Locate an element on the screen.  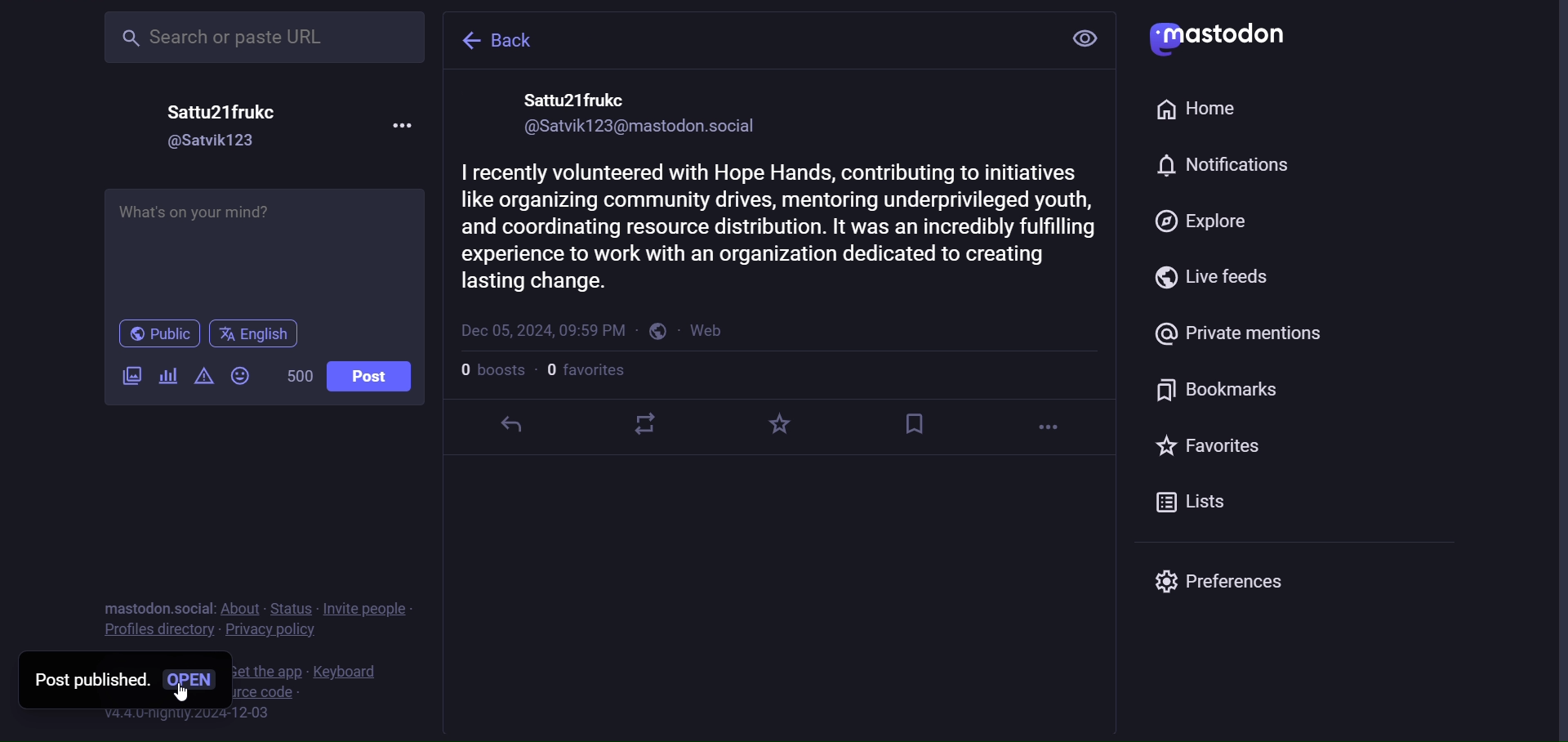
back is located at coordinates (496, 41).